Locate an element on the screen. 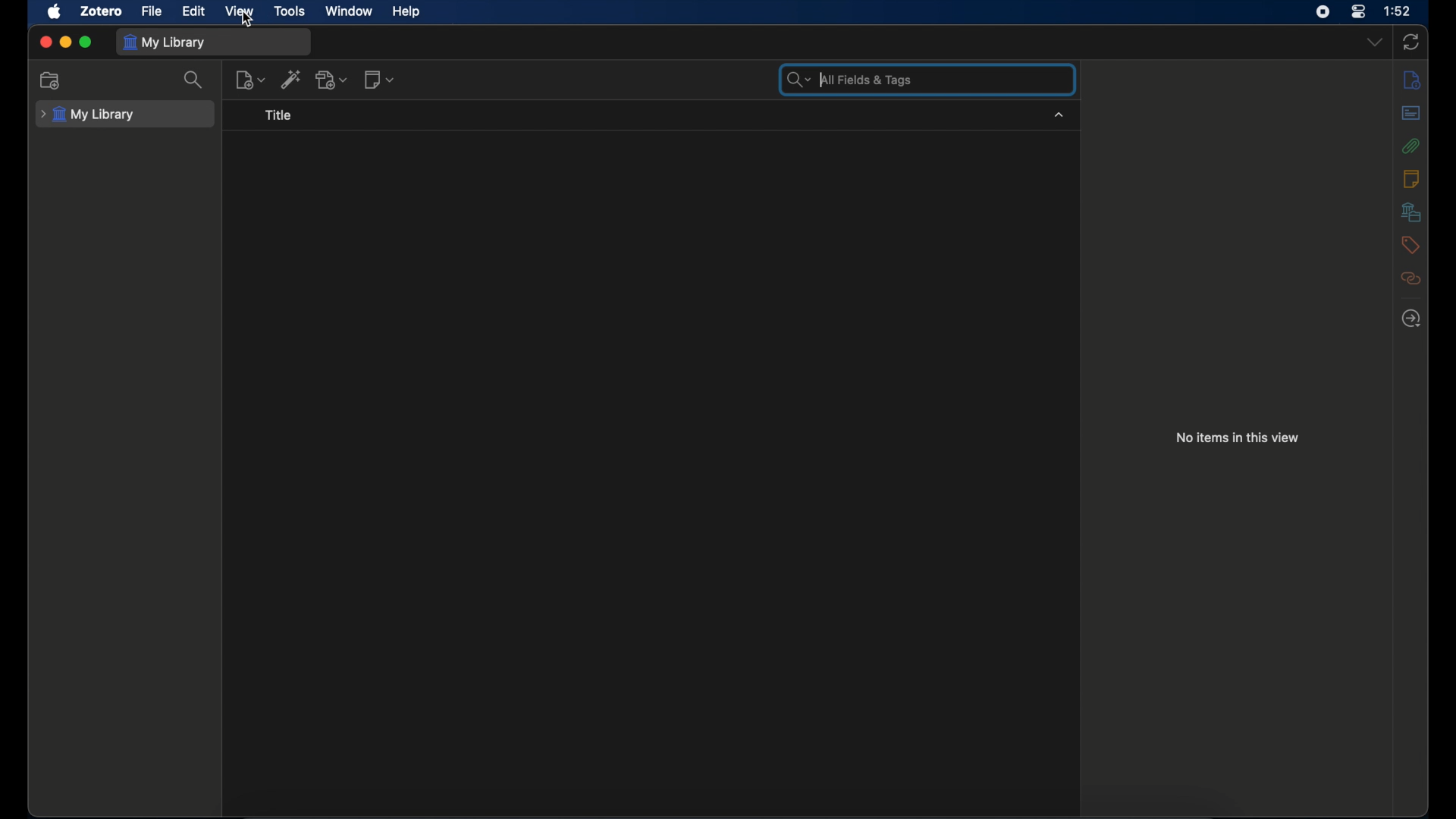 The width and height of the screenshot is (1456, 819). attachments is located at coordinates (1410, 146).